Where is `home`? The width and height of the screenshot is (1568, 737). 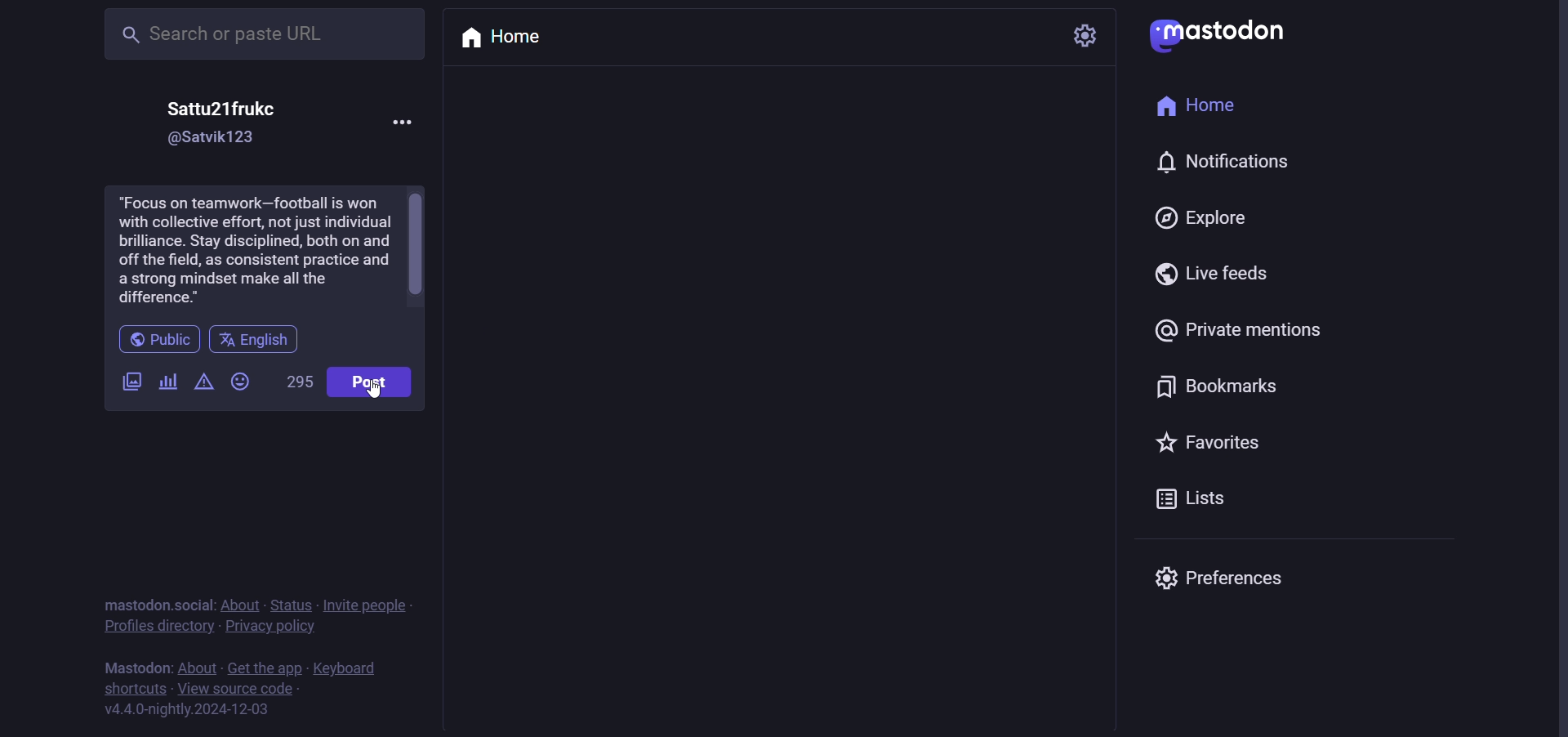 home is located at coordinates (1194, 106).